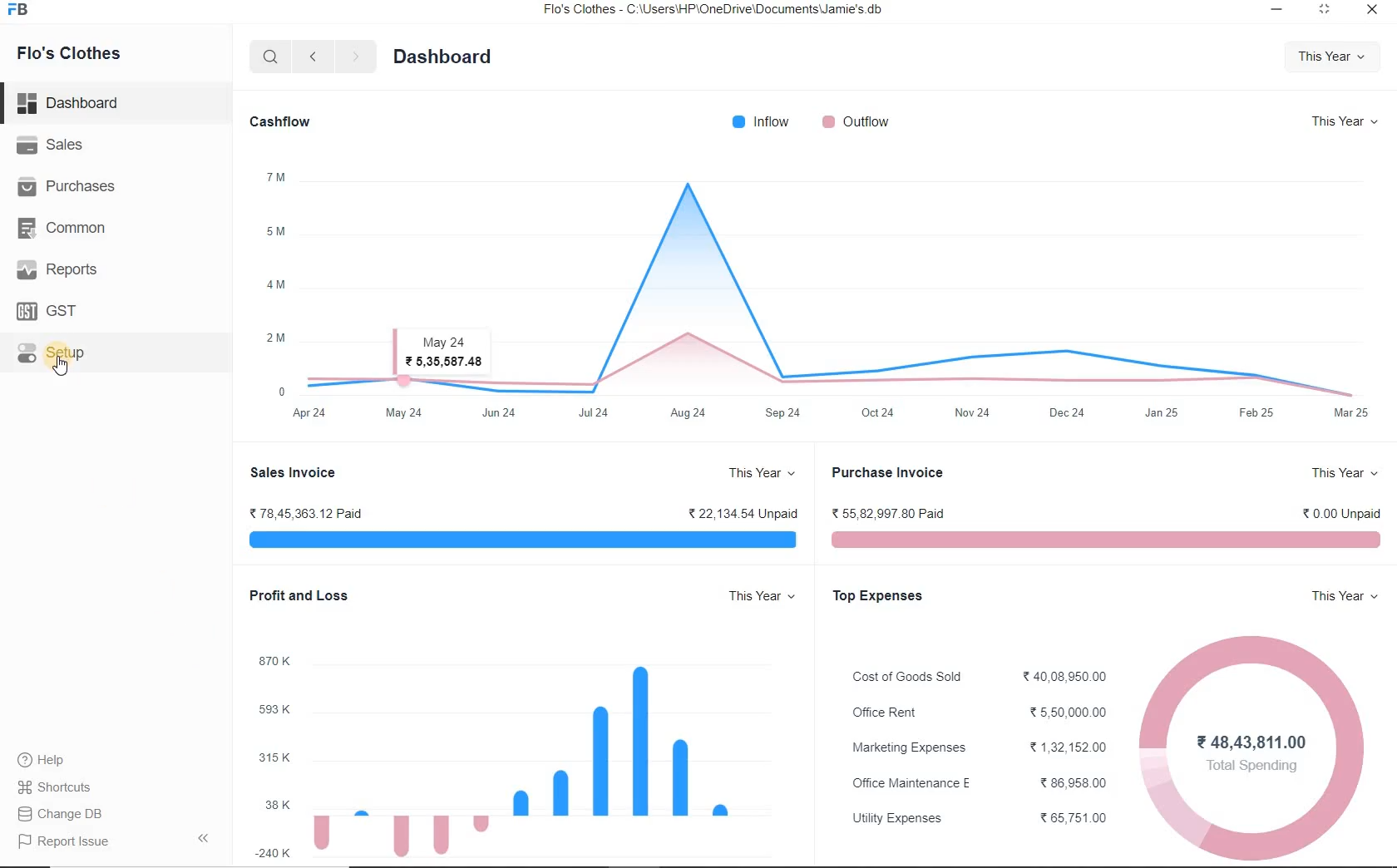 This screenshot has height=868, width=1397. Describe the element at coordinates (756, 599) in the screenshot. I see `This Year ` at that location.